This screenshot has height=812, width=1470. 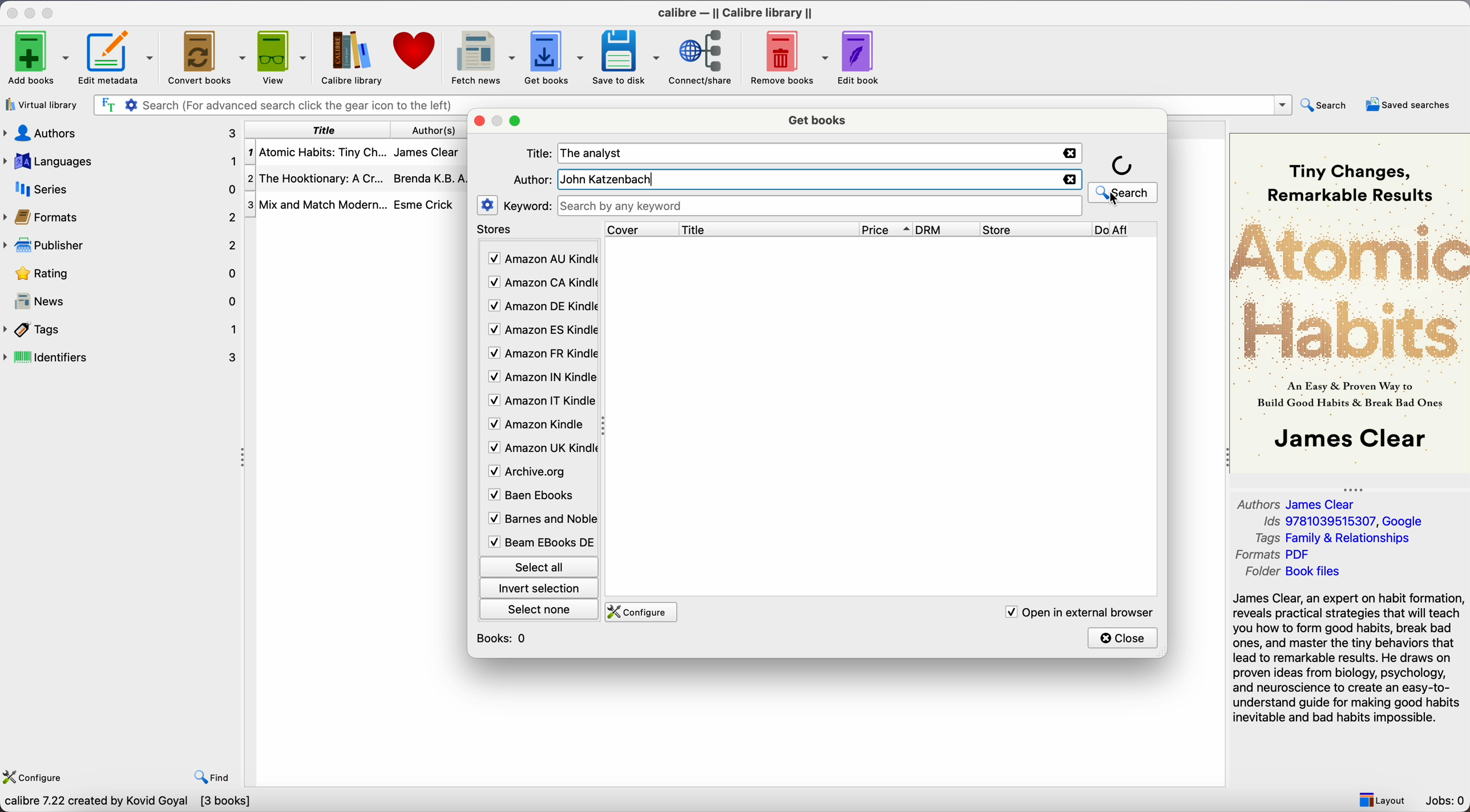 What do you see at coordinates (434, 131) in the screenshot?
I see `authors` at bounding box center [434, 131].